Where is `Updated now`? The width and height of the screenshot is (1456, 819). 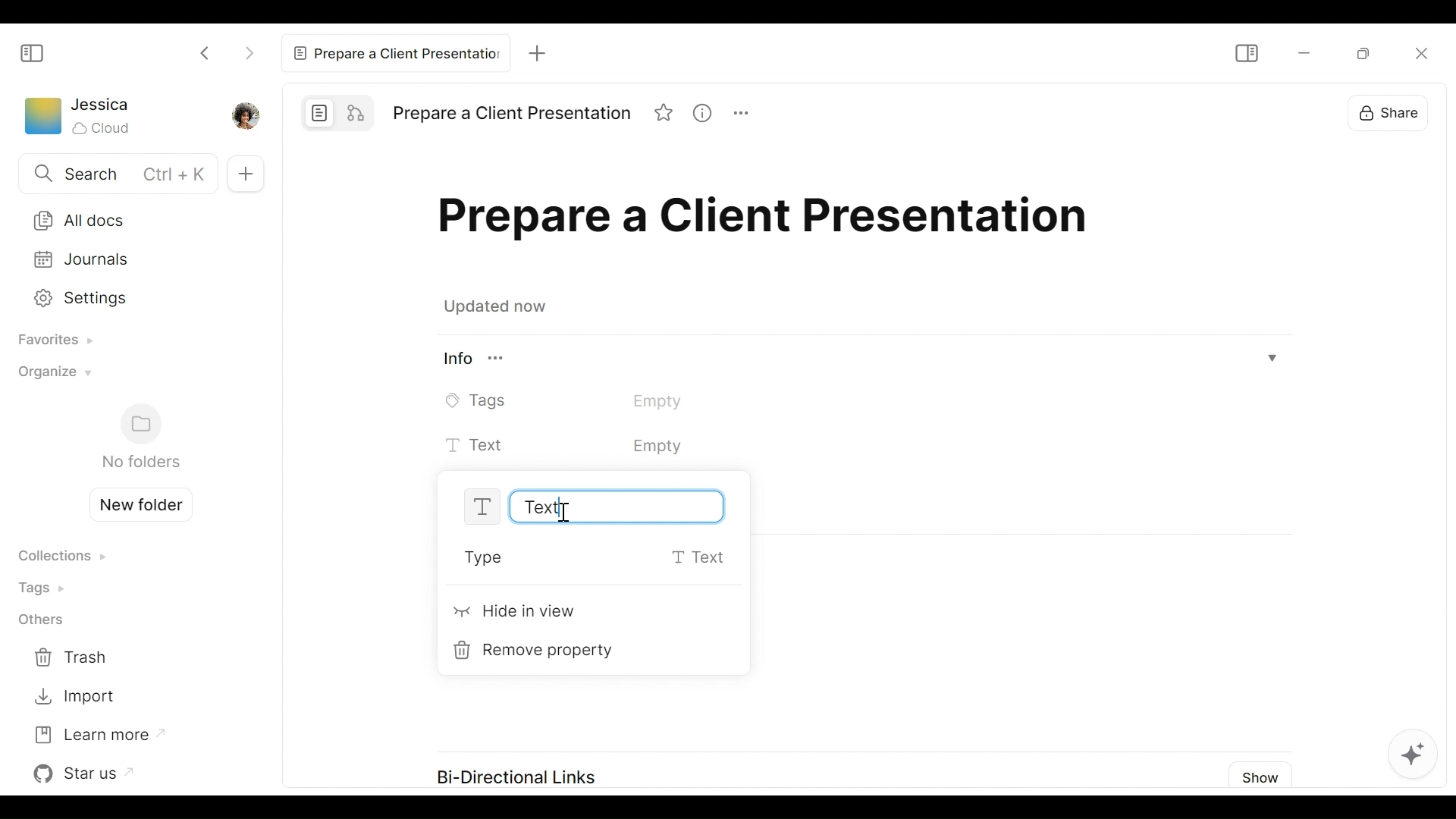
Updated now is located at coordinates (499, 309).